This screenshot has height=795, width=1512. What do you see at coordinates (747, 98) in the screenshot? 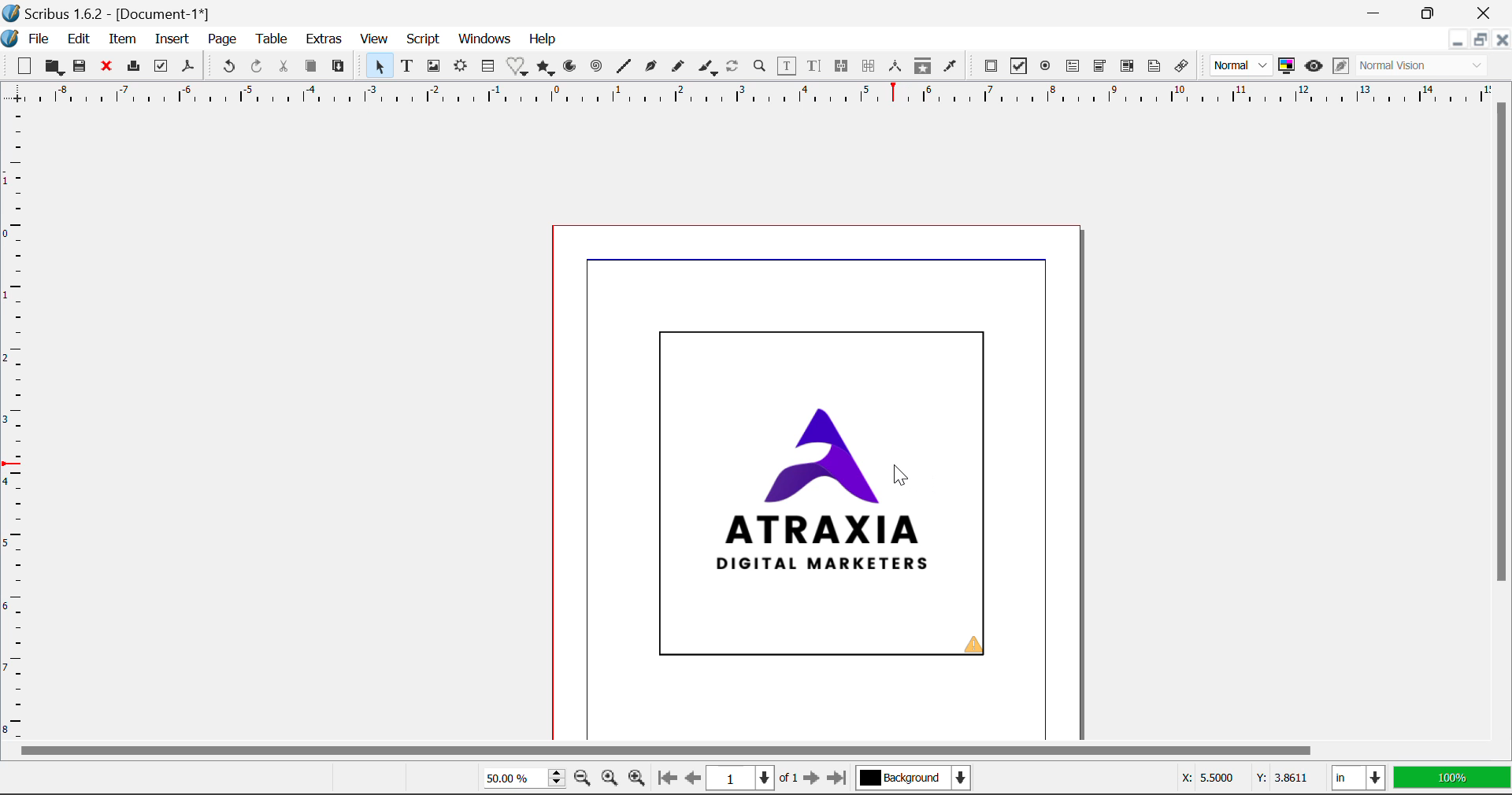
I see `Vertical Page Margins` at bounding box center [747, 98].